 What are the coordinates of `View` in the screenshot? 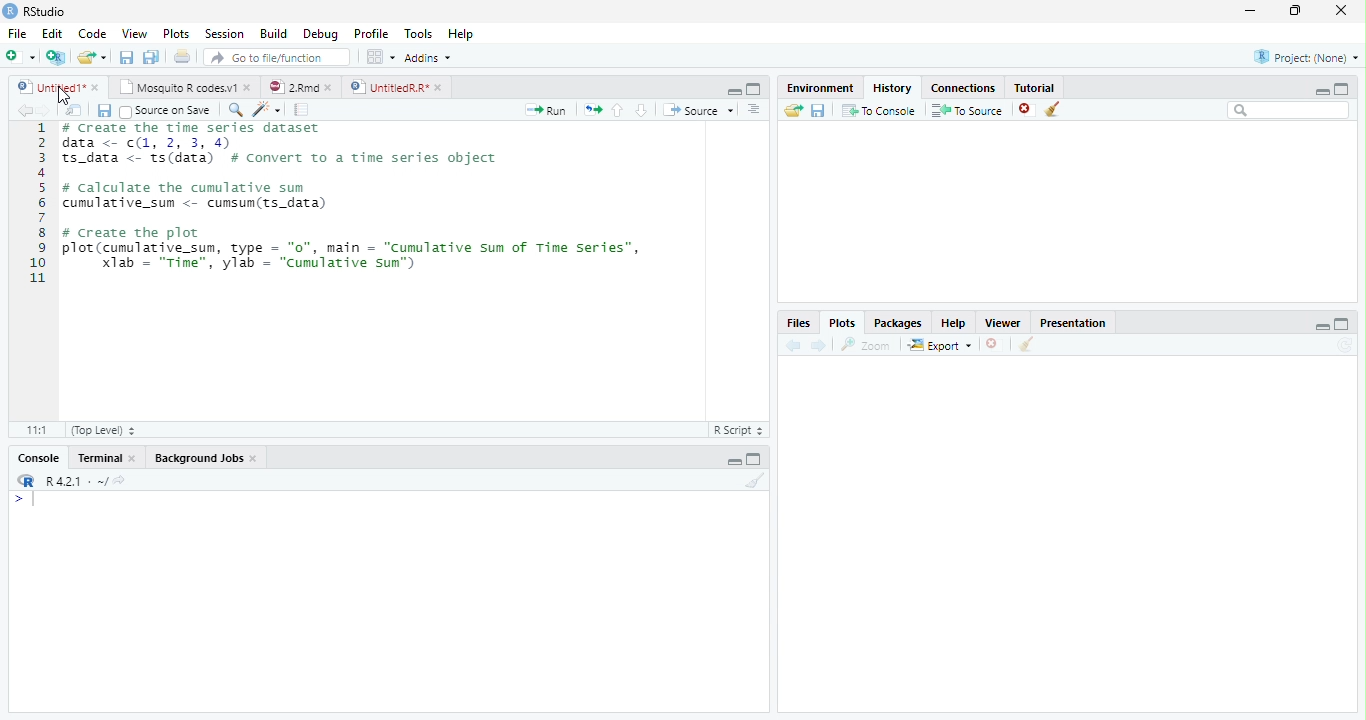 It's located at (134, 33).